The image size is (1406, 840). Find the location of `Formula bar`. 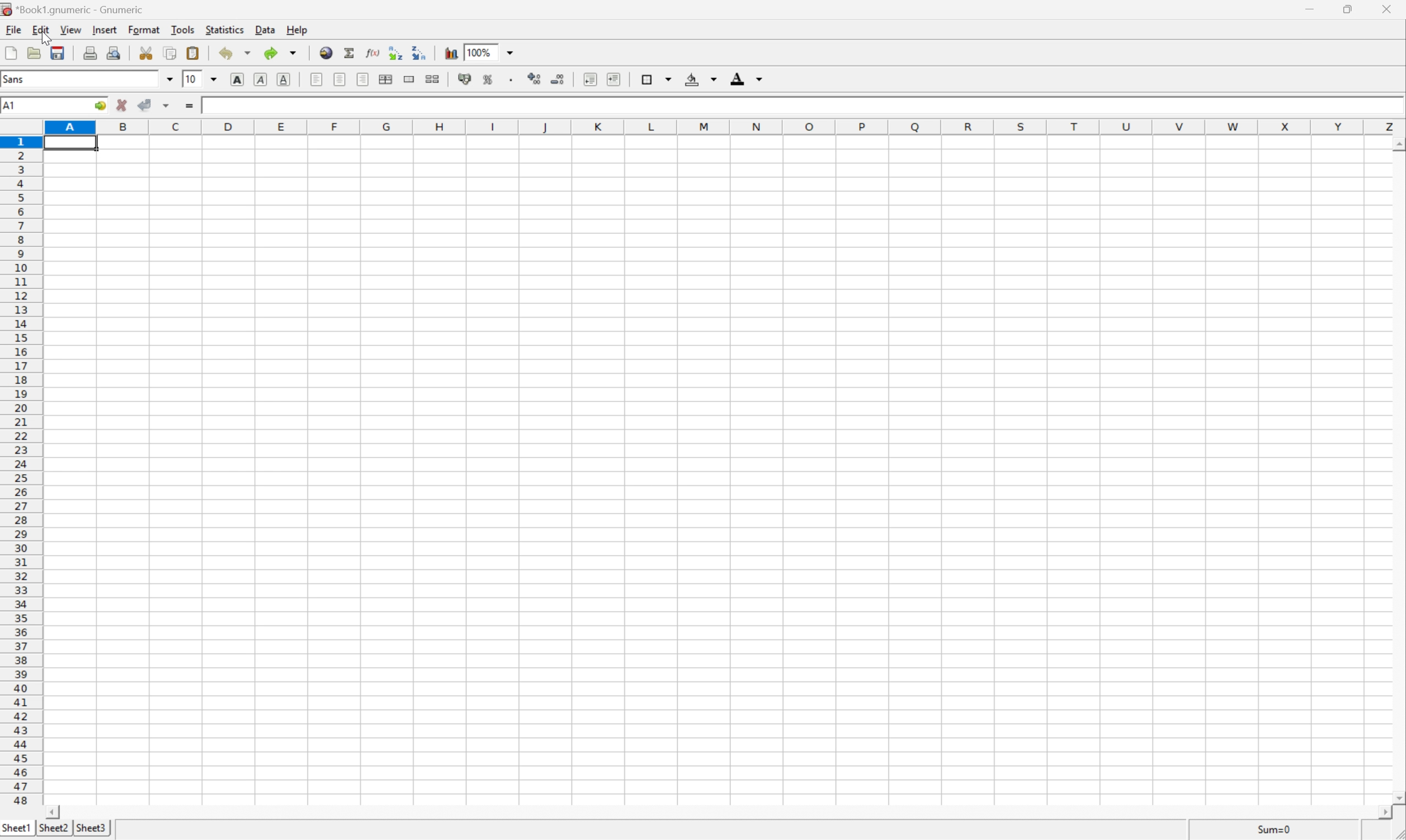

Formula bar is located at coordinates (798, 110).